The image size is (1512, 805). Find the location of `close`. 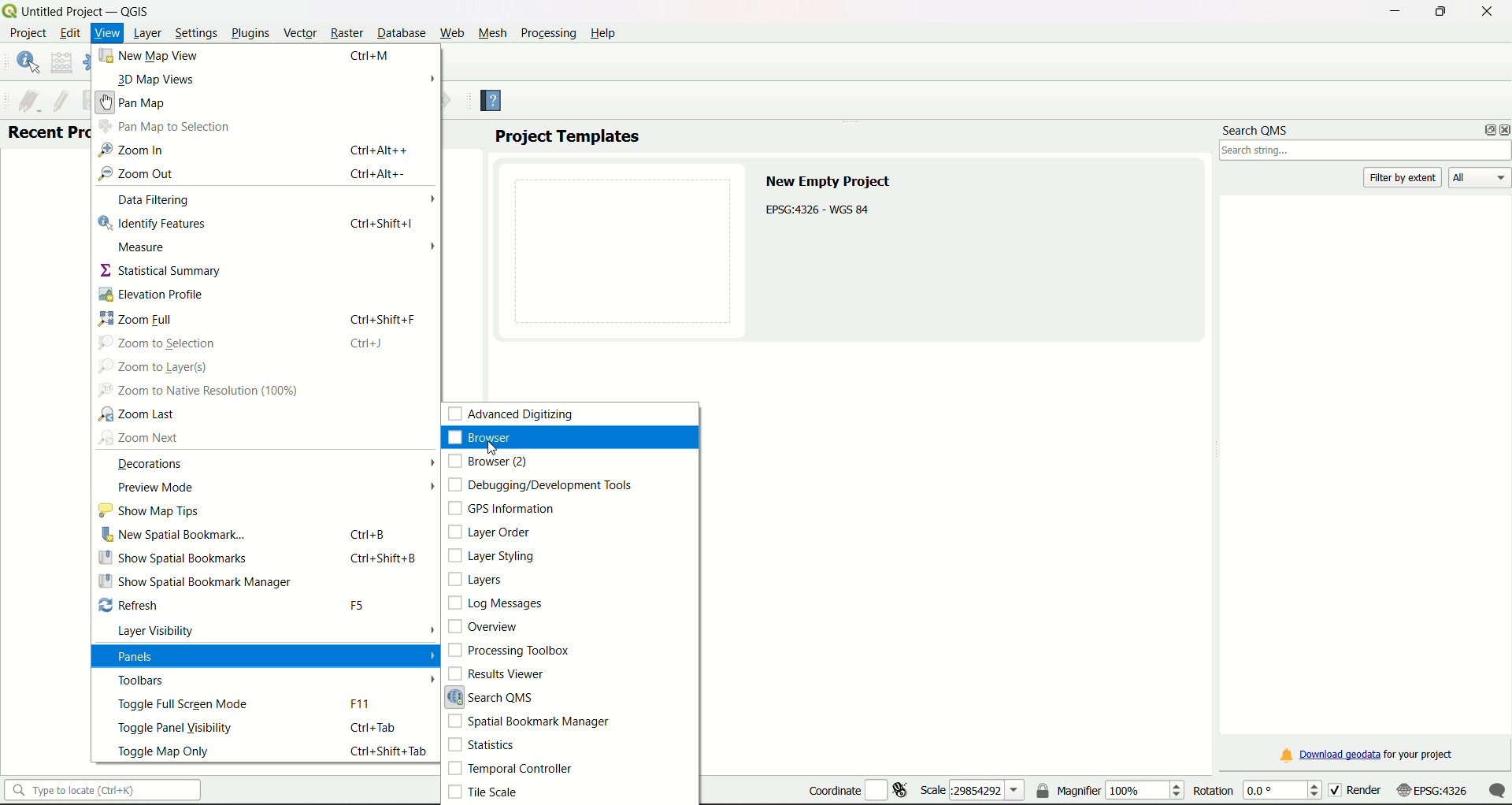

close is located at coordinates (1503, 131).